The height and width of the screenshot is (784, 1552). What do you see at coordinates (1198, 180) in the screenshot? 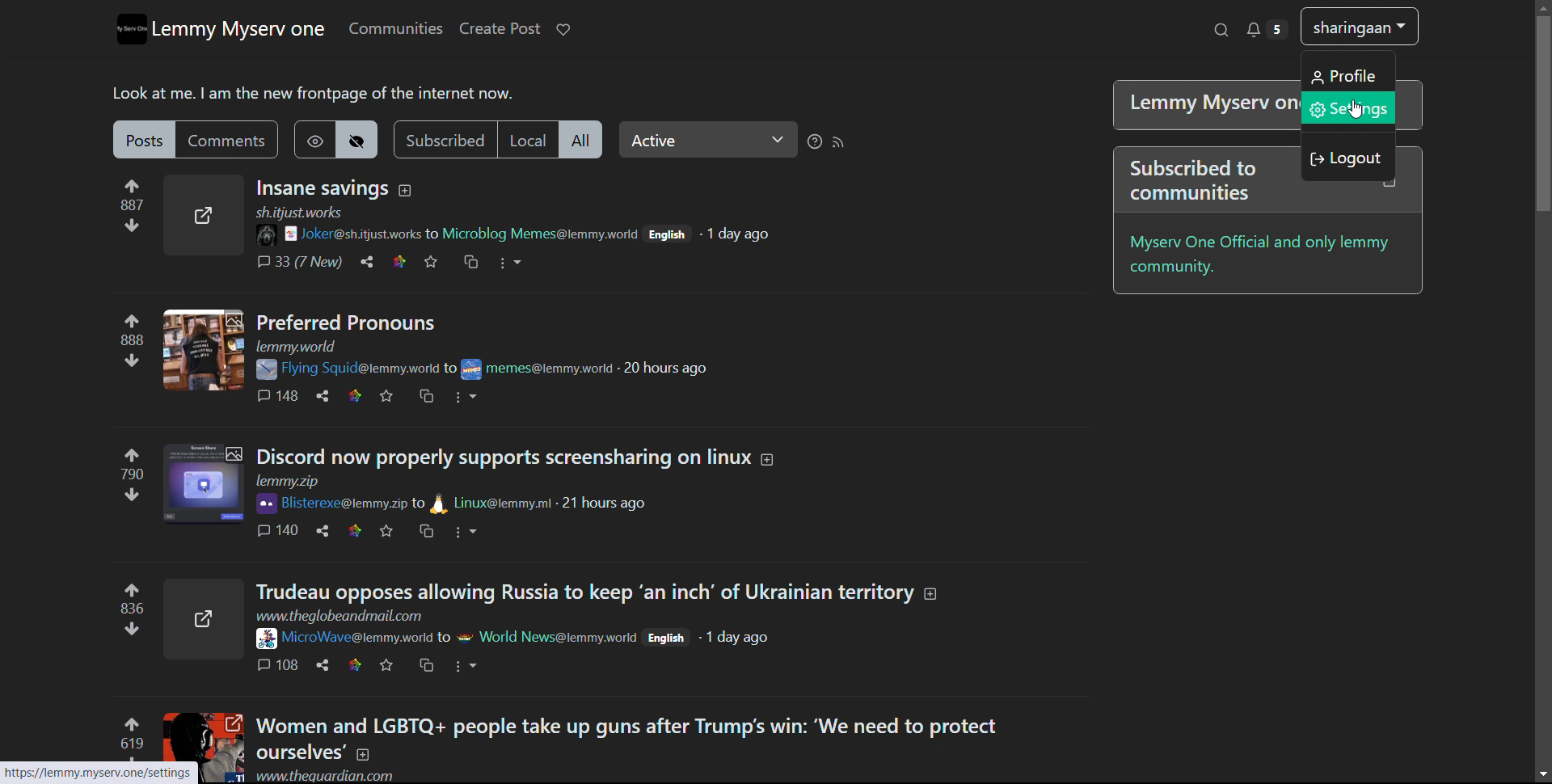
I see `Subscribed to
communities` at bounding box center [1198, 180].